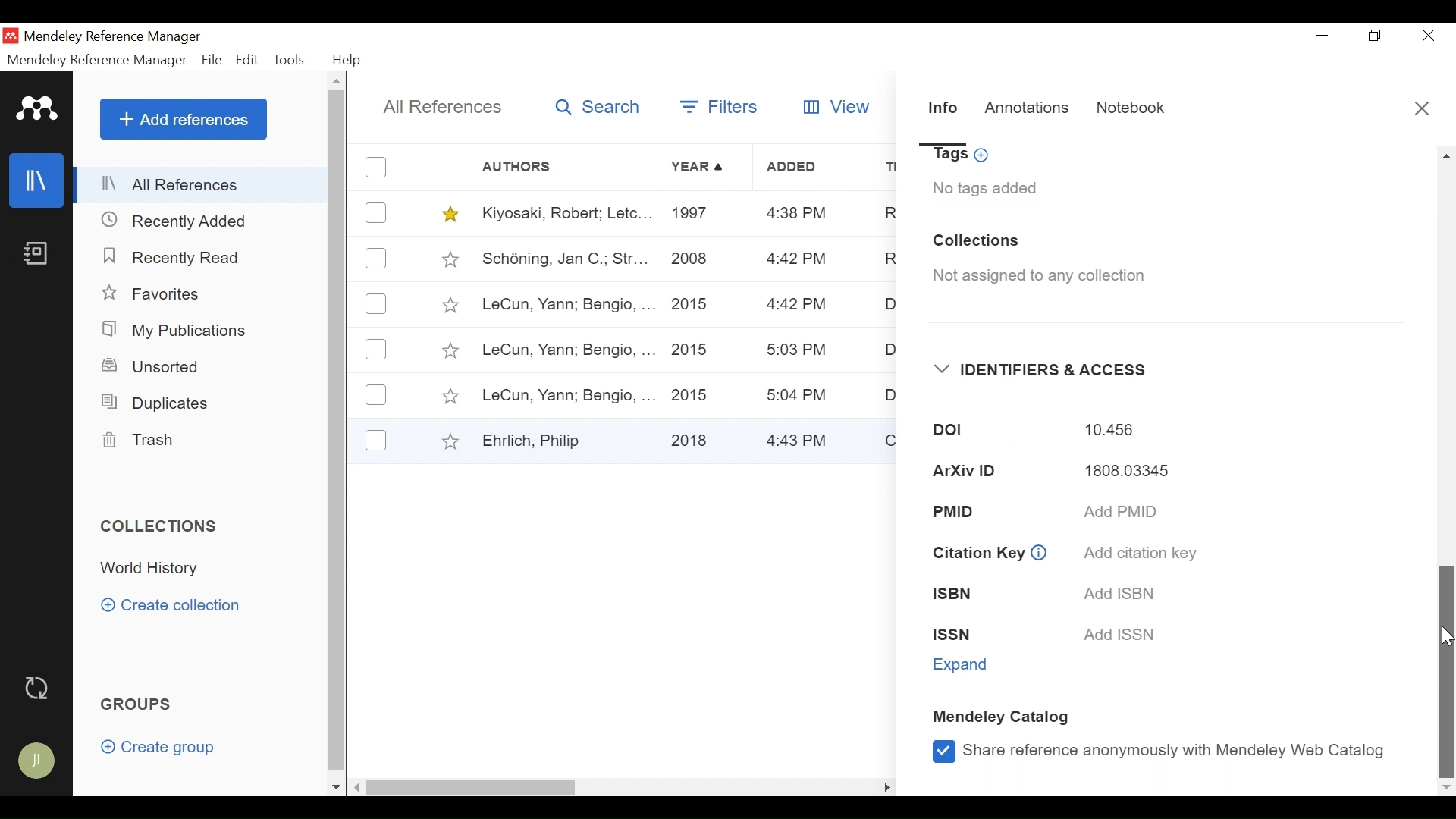 The height and width of the screenshot is (819, 1456). I want to click on PMID, so click(977, 510).